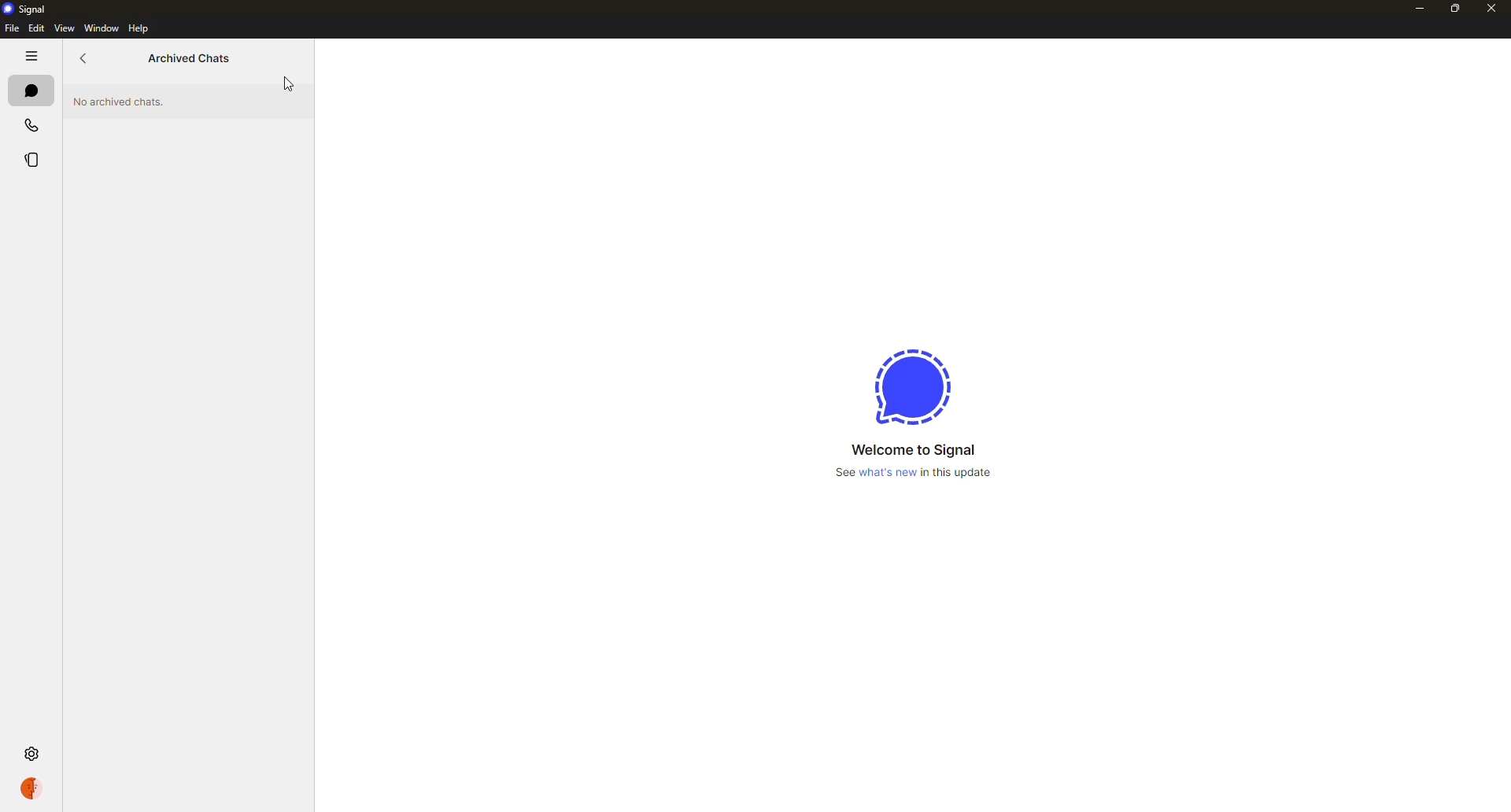 This screenshot has width=1511, height=812. What do you see at coordinates (916, 472) in the screenshot?
I see `what's new` at bounding box center [916, 472].